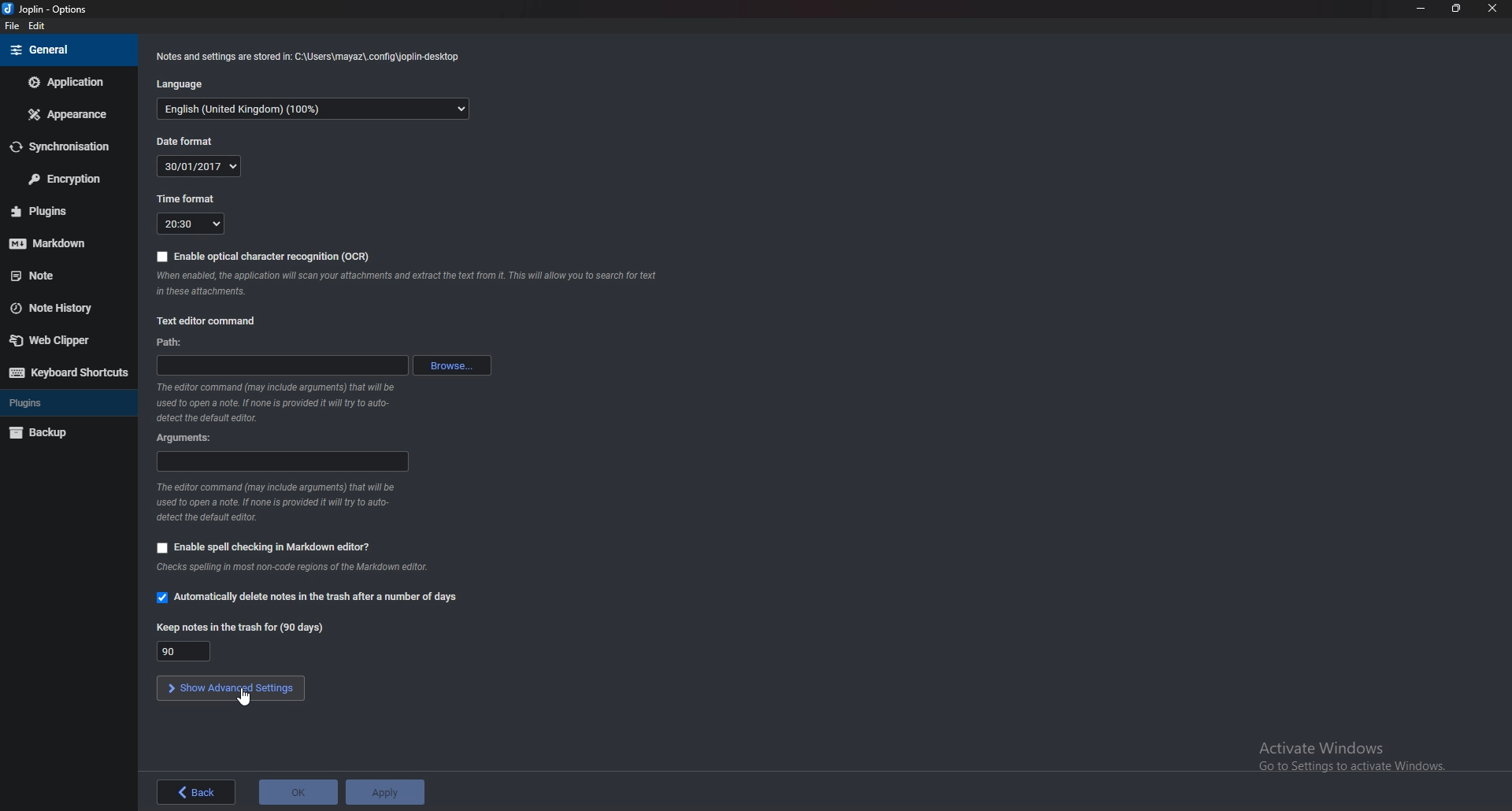  What do you see at coordinates (67, 83) in the screenshot?
I see `Application` at bounding box center [67, 83].